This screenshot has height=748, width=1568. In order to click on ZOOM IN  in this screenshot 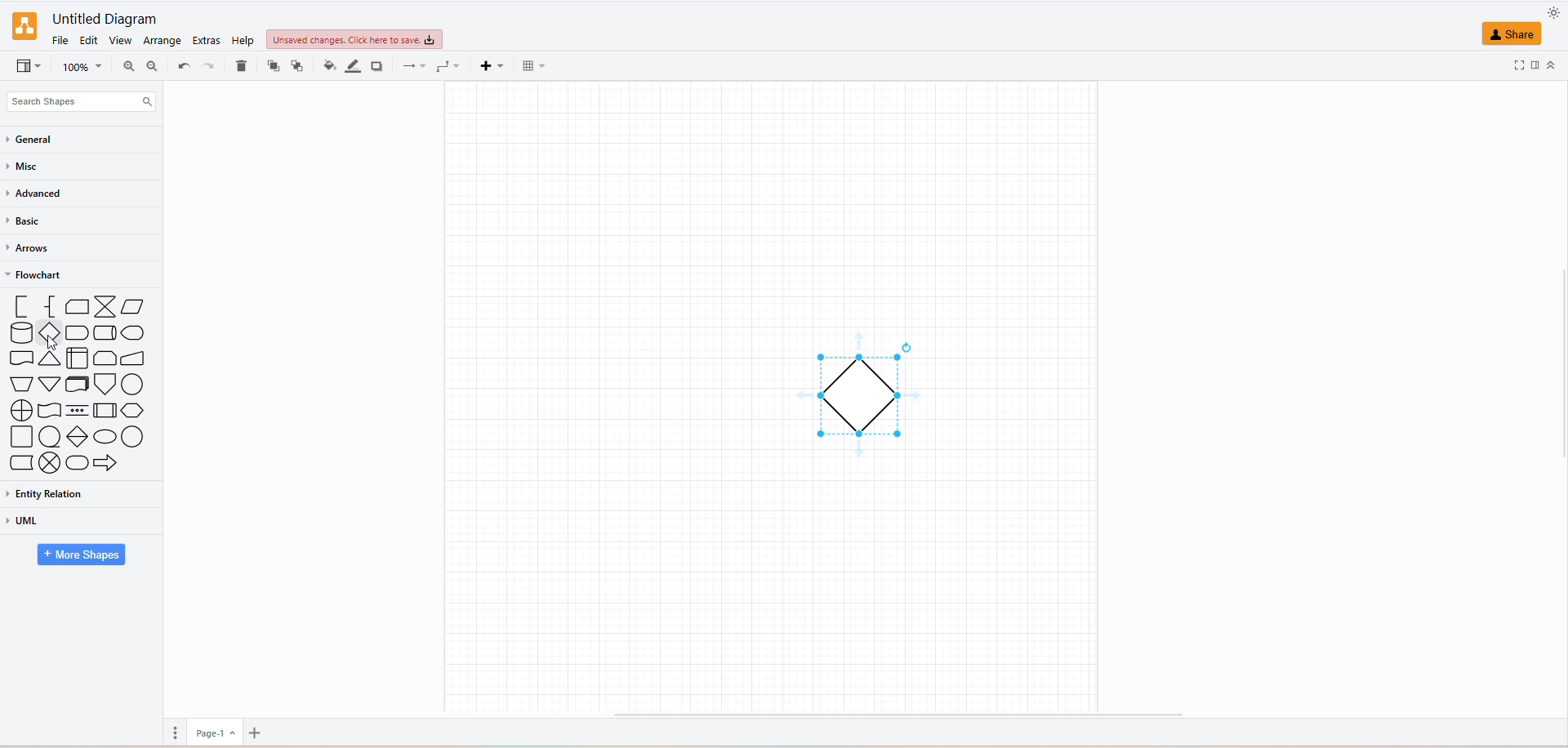, I will do `click(127, 67)`.